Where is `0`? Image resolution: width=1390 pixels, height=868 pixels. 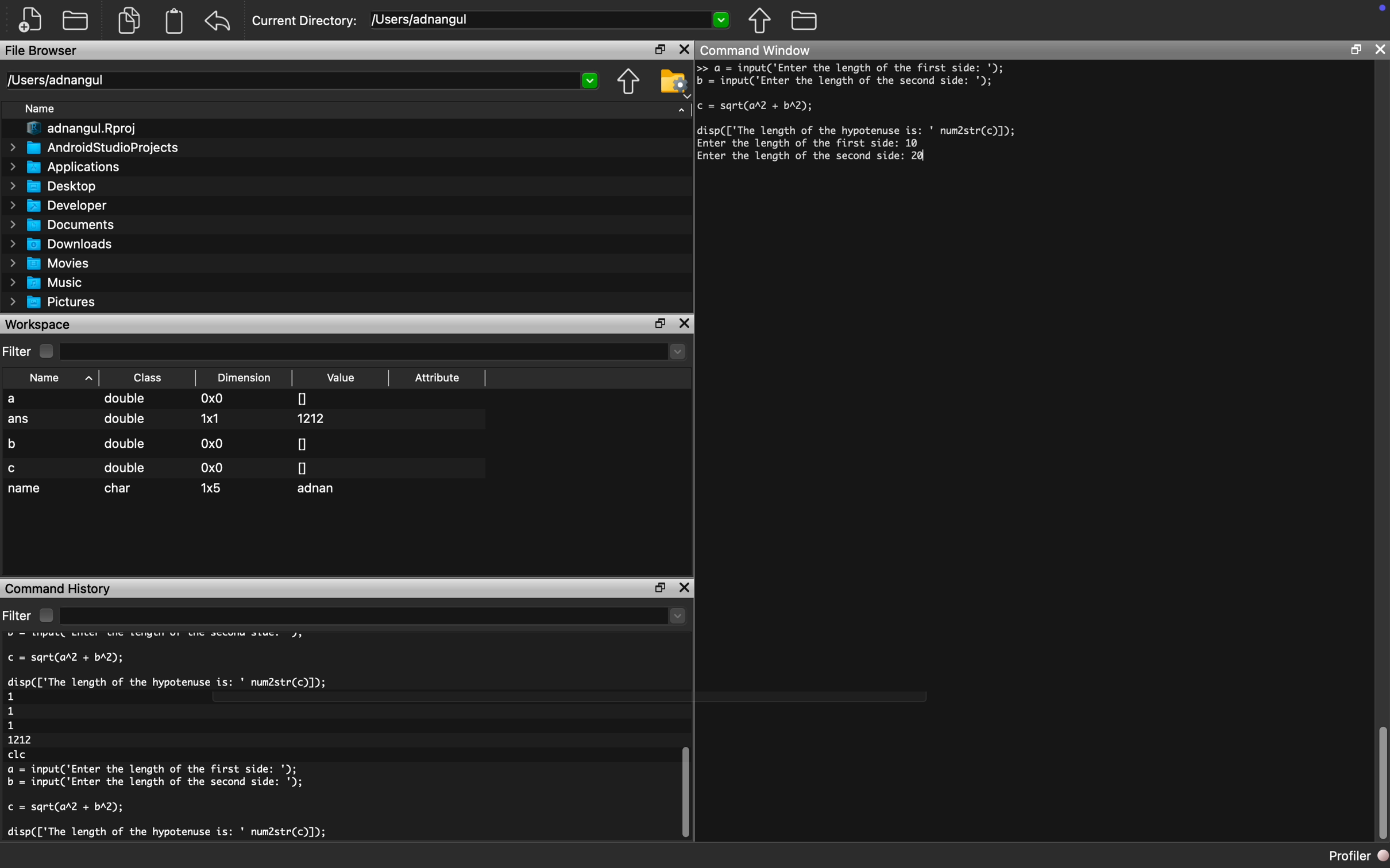 0 is located at coordinates (303, 467).